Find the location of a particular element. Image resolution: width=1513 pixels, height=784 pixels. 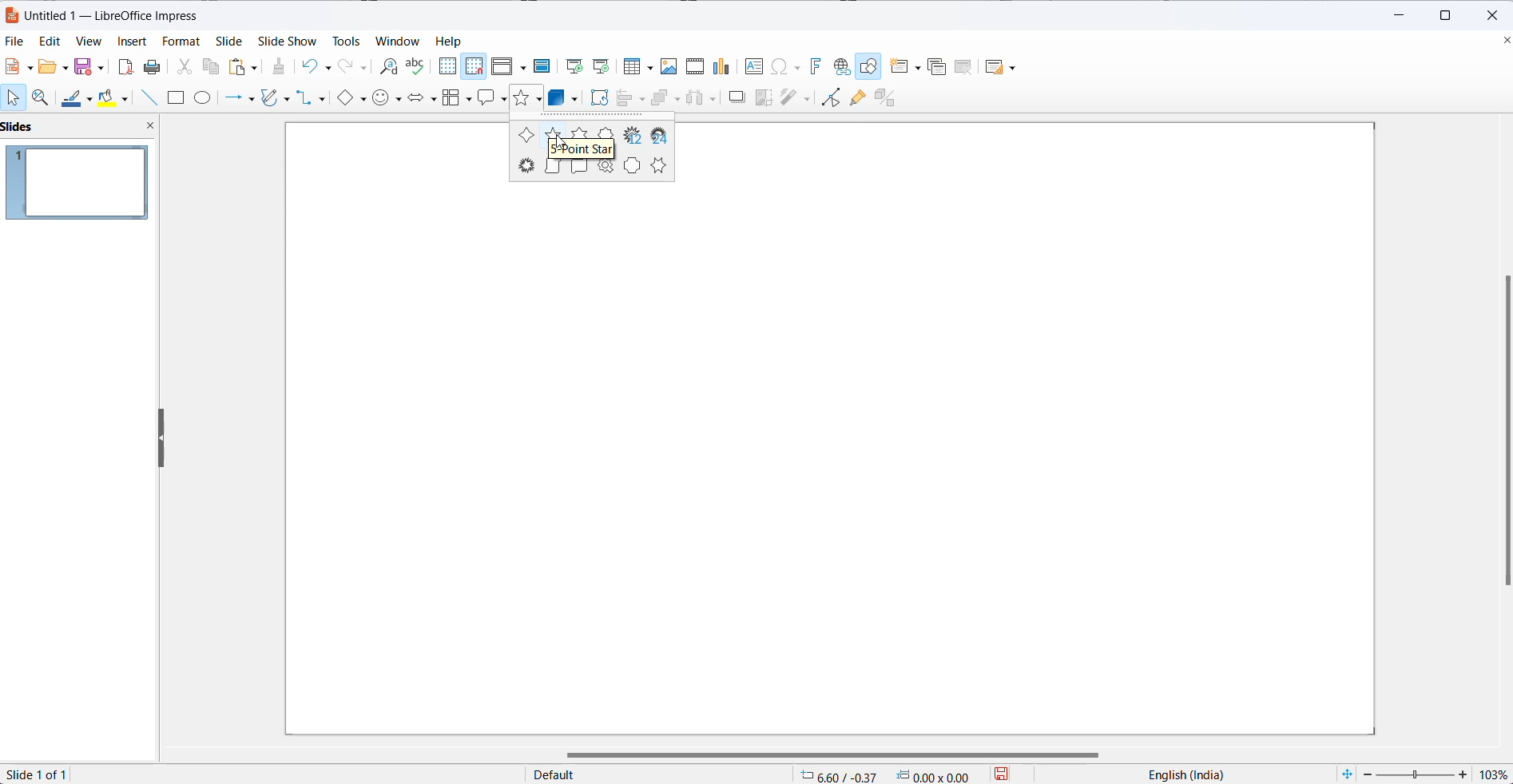

SLIDE LAYOUT is located at coordinates (1001, 66).